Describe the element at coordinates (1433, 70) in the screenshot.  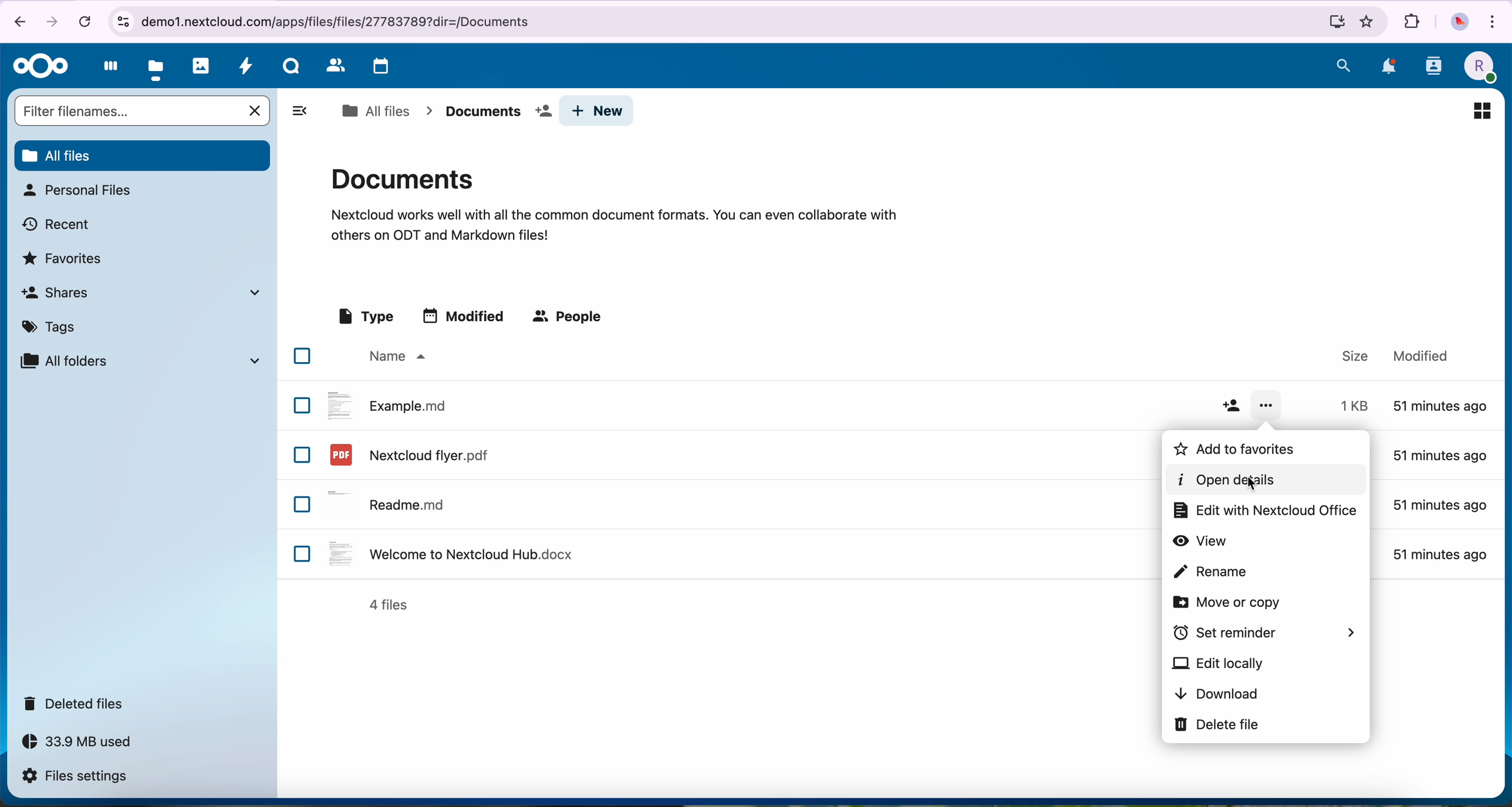
I see `contacts` at that location.